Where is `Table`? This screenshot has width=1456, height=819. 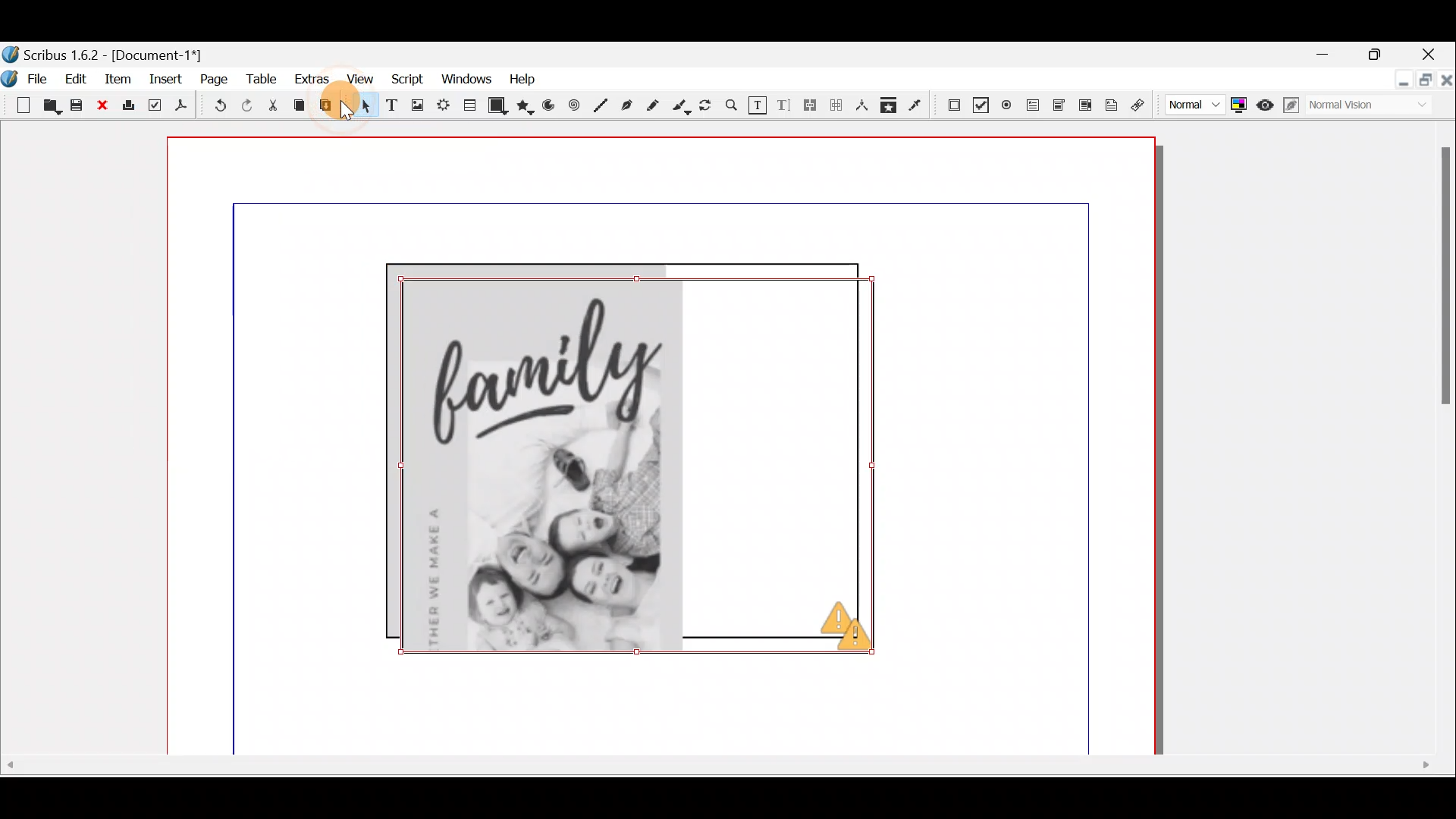
Table is located at coordinates (470, 108).